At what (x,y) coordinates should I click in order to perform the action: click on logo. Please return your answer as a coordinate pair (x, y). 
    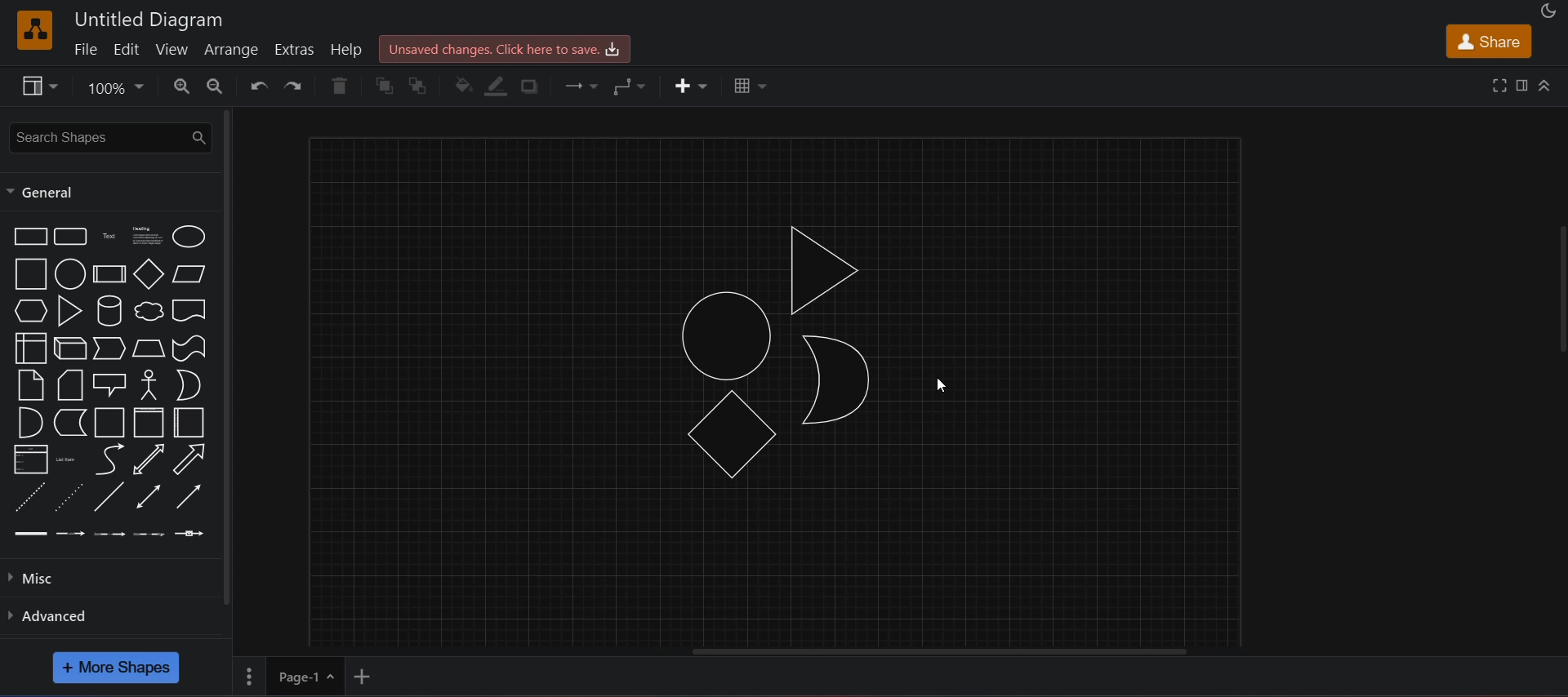
    Looking at the image, I should click on (35, 29).